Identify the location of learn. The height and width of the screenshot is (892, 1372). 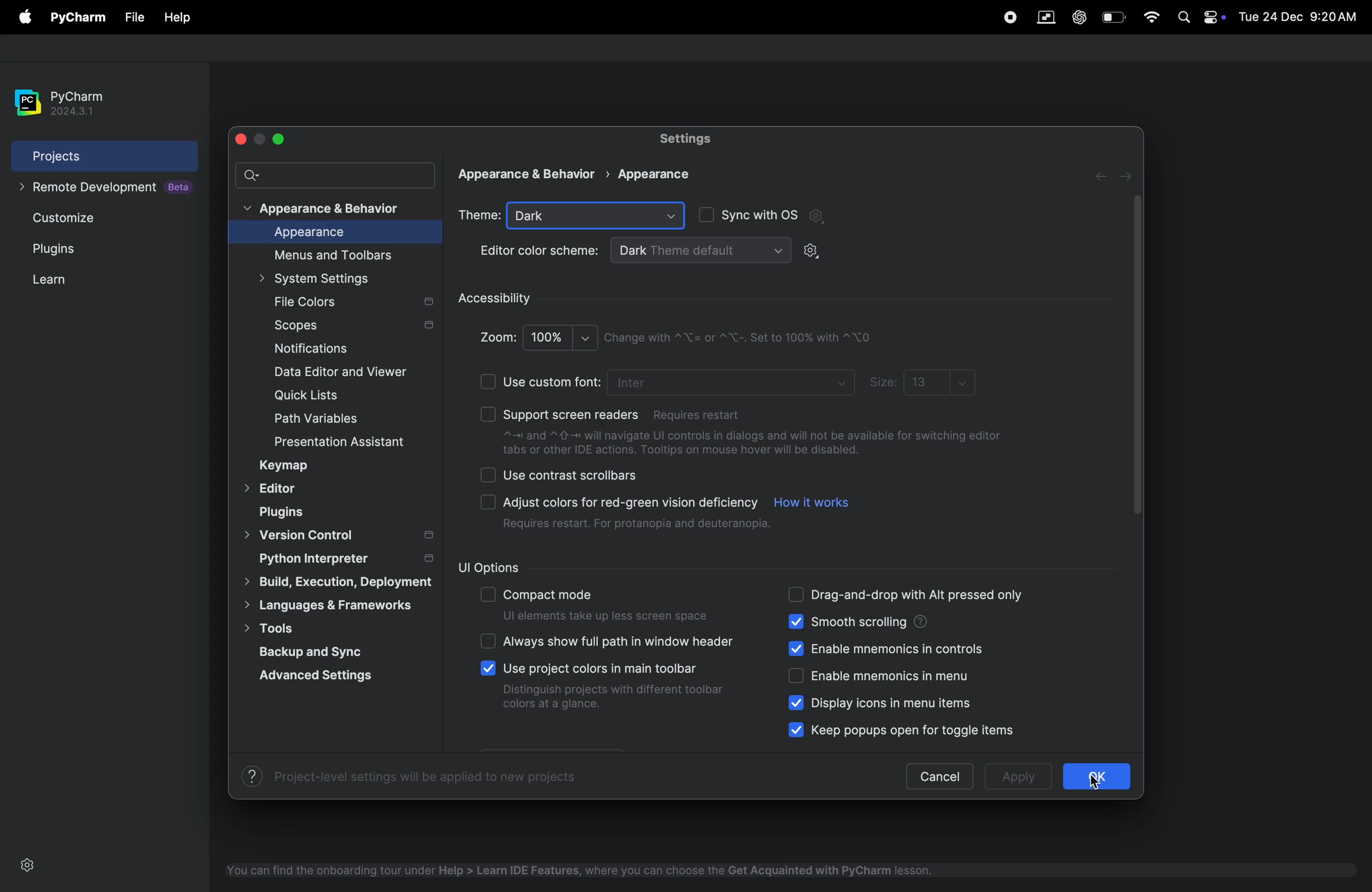
(68, 279).